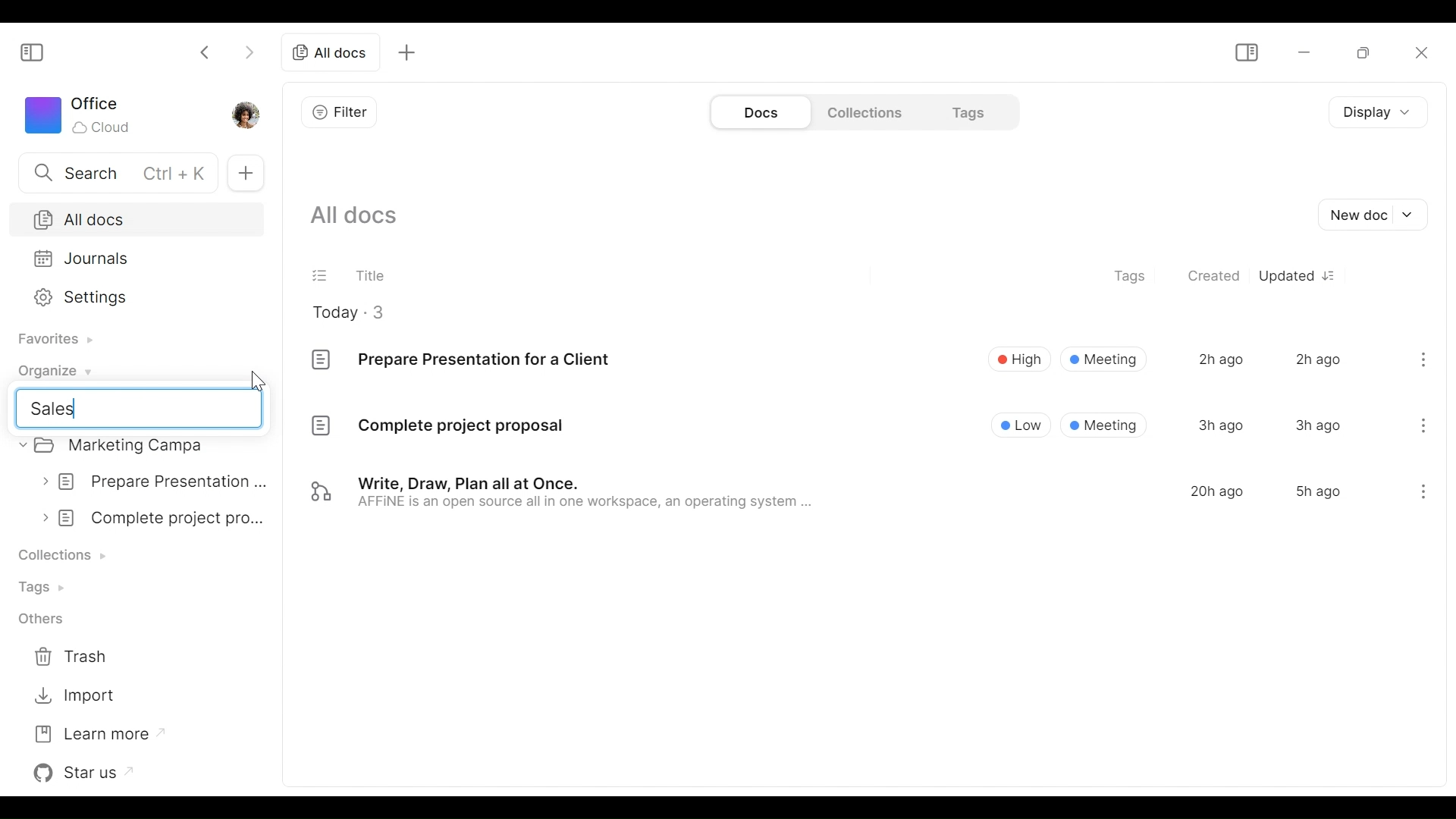 The height and width of the screenshot is (819, 1456). What do you see at coordinates (330, 53) in the screenshot?
I see `all docs` at bounding box center [330, 53].